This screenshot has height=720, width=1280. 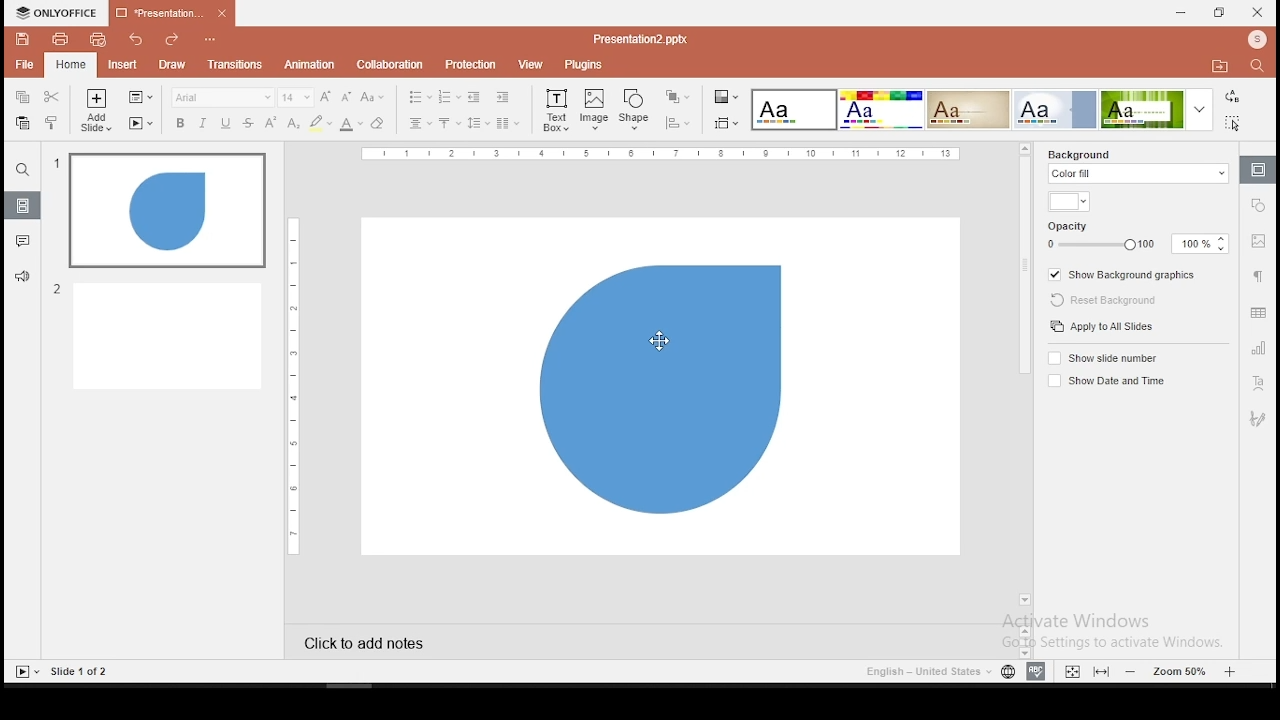 What do you see at coordinates (373, 98) in the screenshot?
I see `change case` at bounding box center [373, 98].